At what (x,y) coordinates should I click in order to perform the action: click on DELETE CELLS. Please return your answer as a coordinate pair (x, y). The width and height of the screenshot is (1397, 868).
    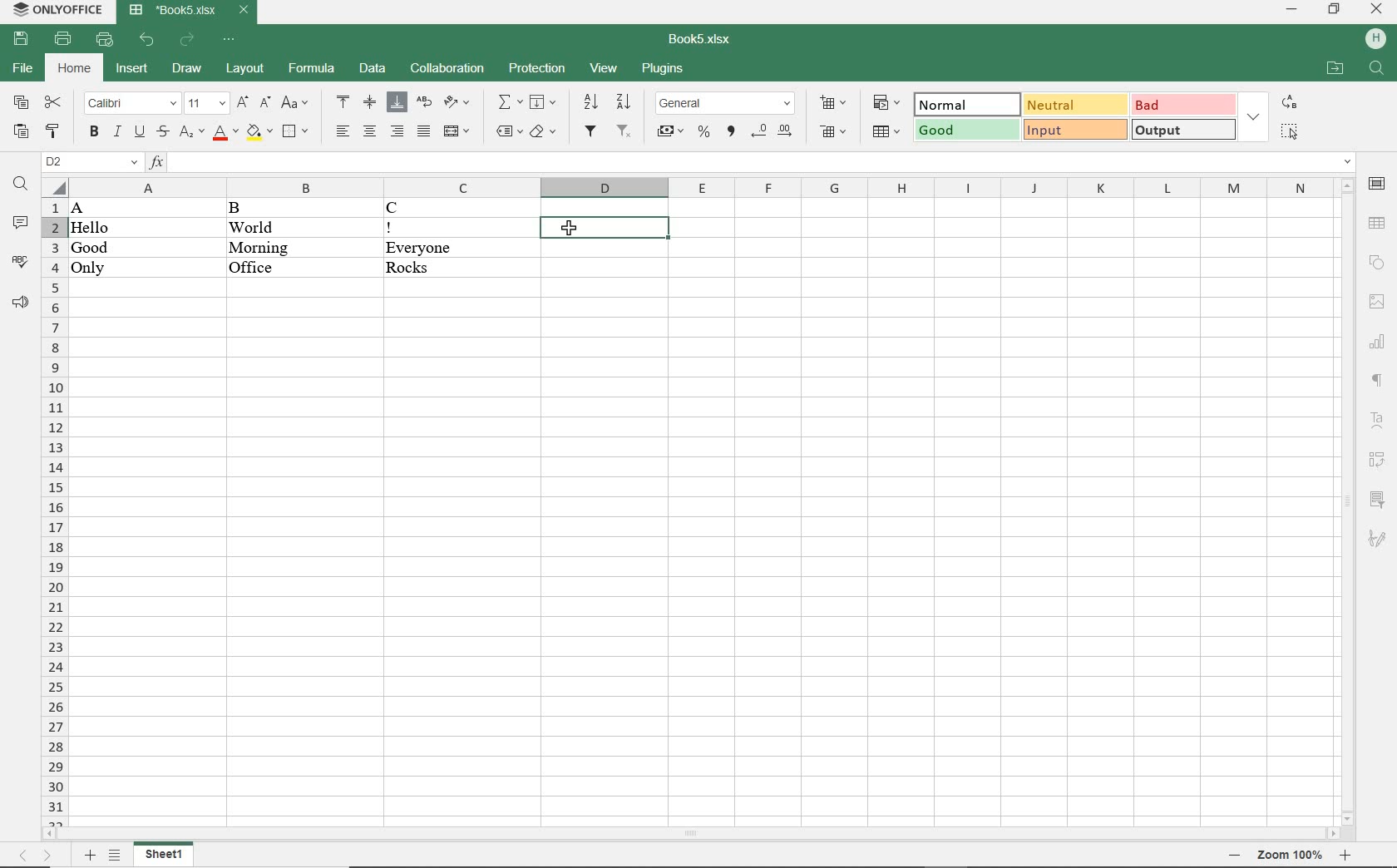
    Looking at the image, I should click on (833, 133).